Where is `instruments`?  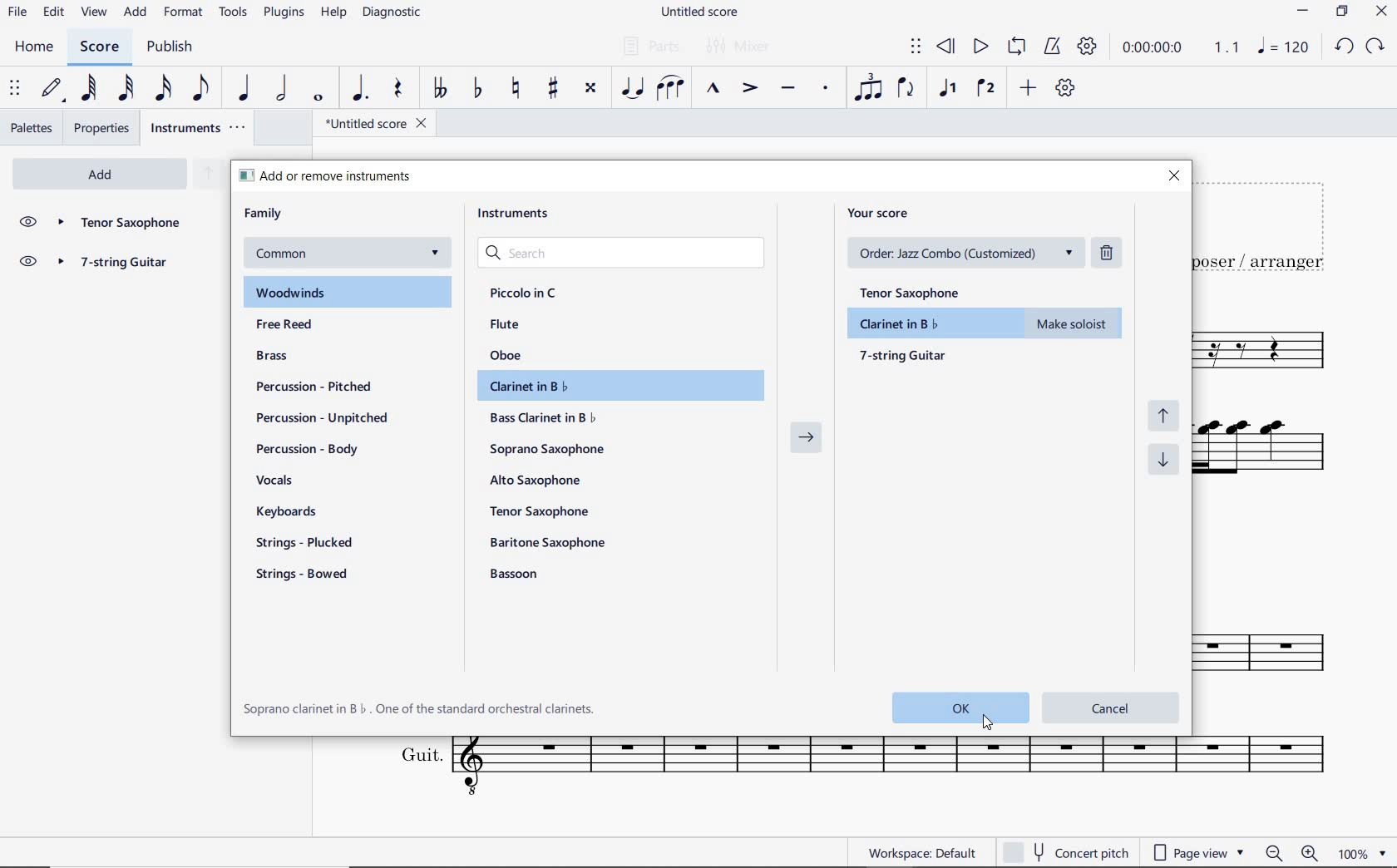 instruments is located at coordinates (519, 217).